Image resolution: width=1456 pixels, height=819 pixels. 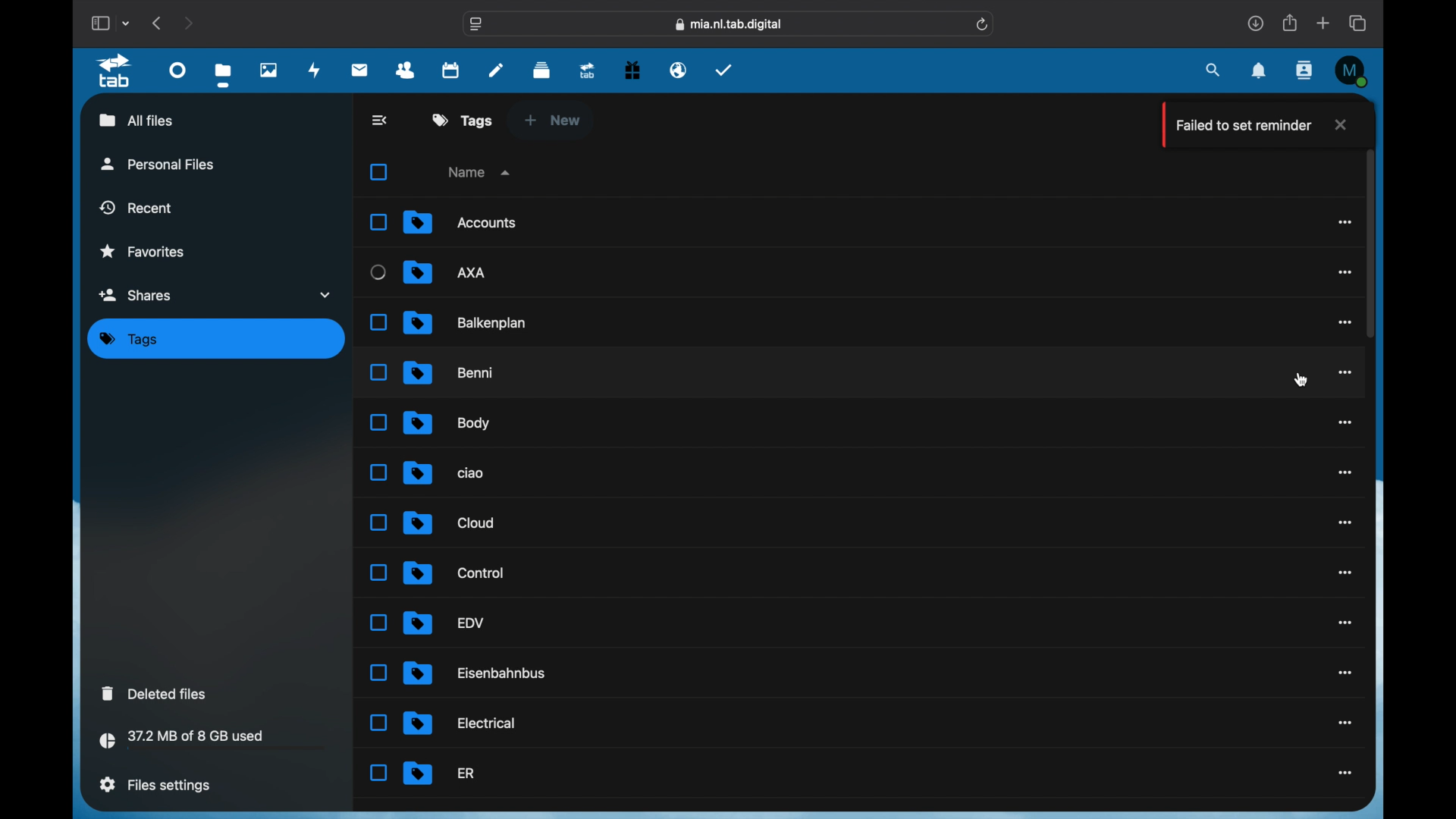 I want to click on show sidebar, so click(x=99, y=23).